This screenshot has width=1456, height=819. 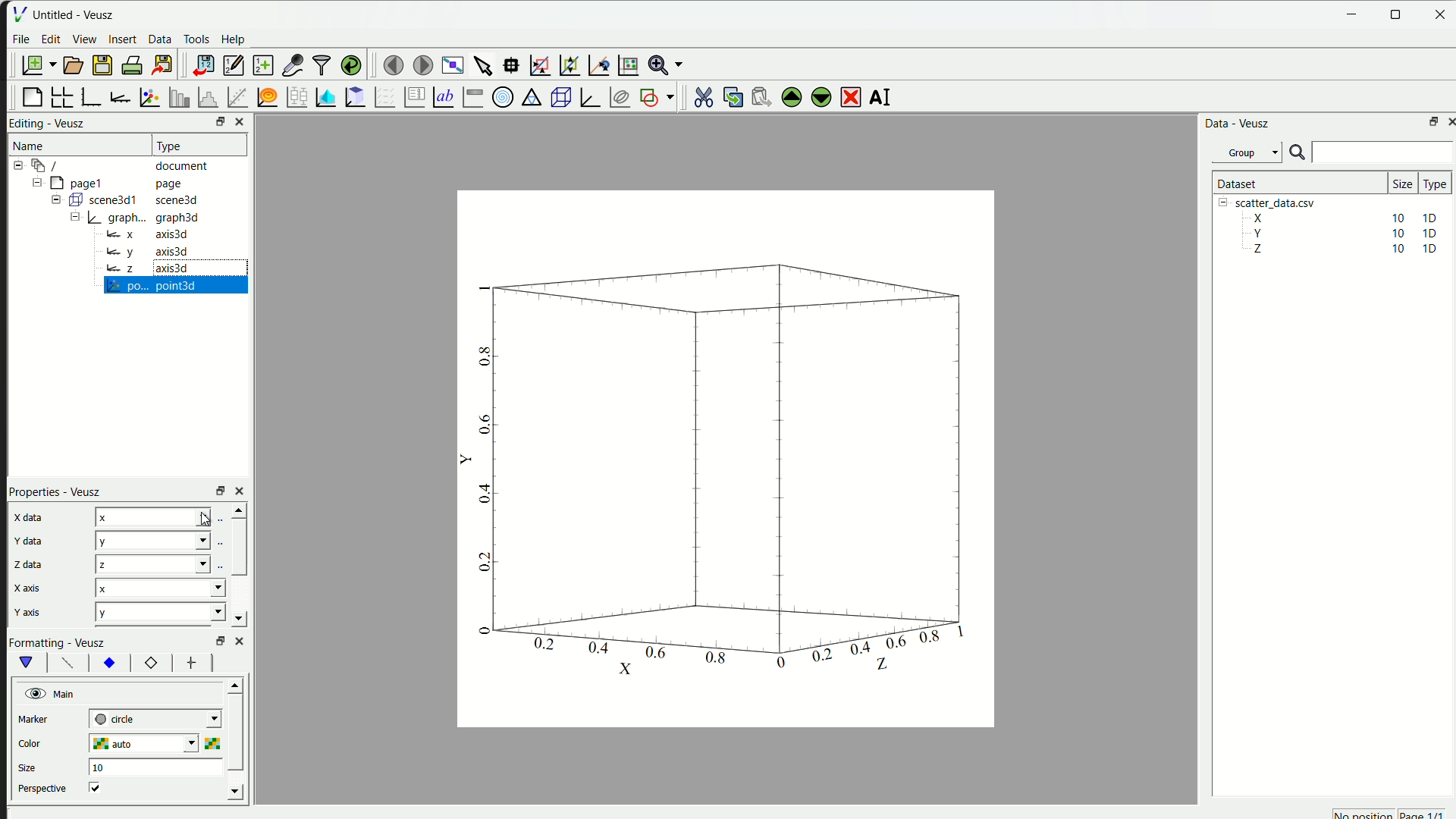 I want to click on resize, so click(x=1397, y=14).